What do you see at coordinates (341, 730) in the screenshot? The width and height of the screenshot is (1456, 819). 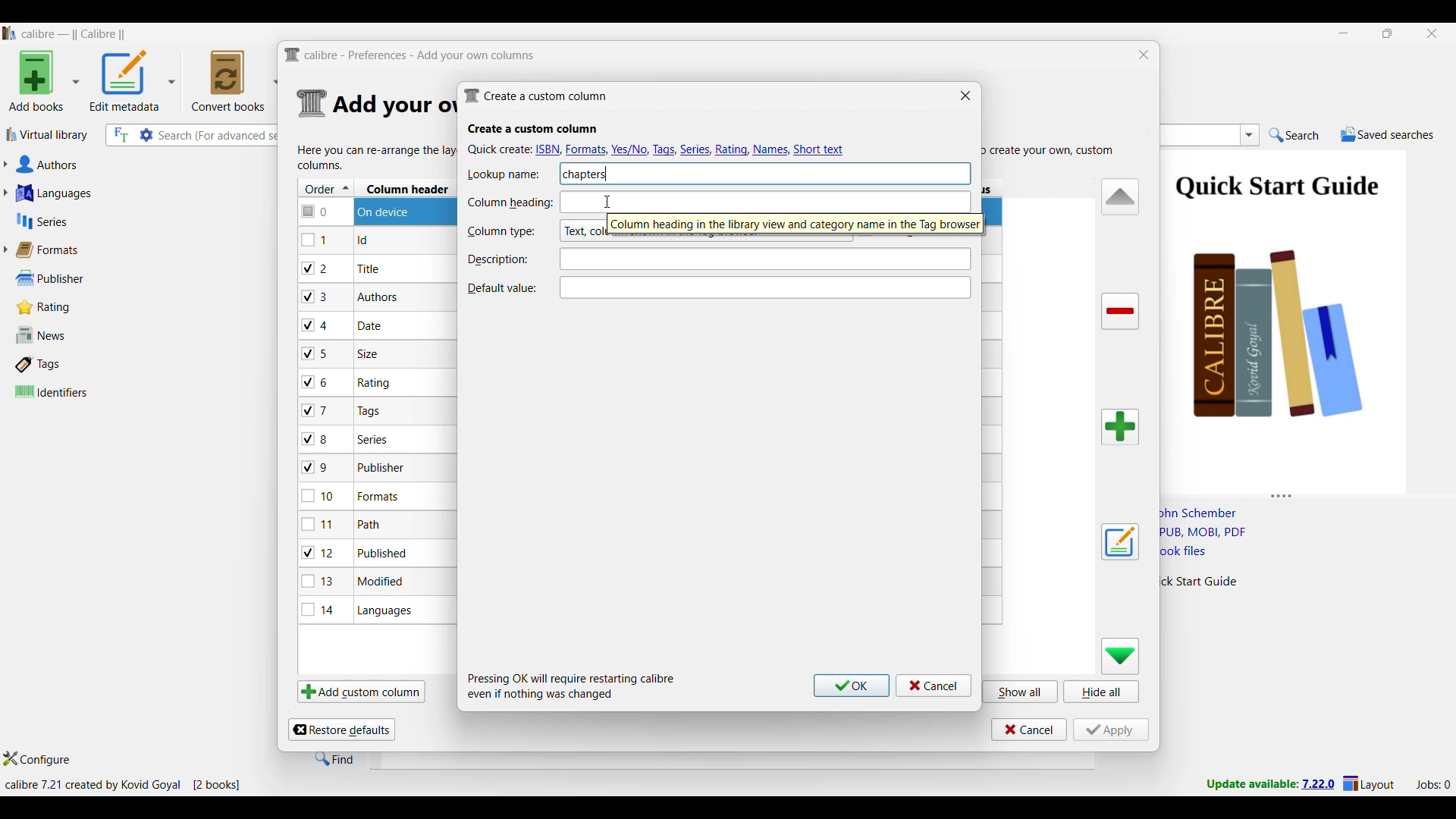 I see `Restore defaults` at bounding box center [341, 730].